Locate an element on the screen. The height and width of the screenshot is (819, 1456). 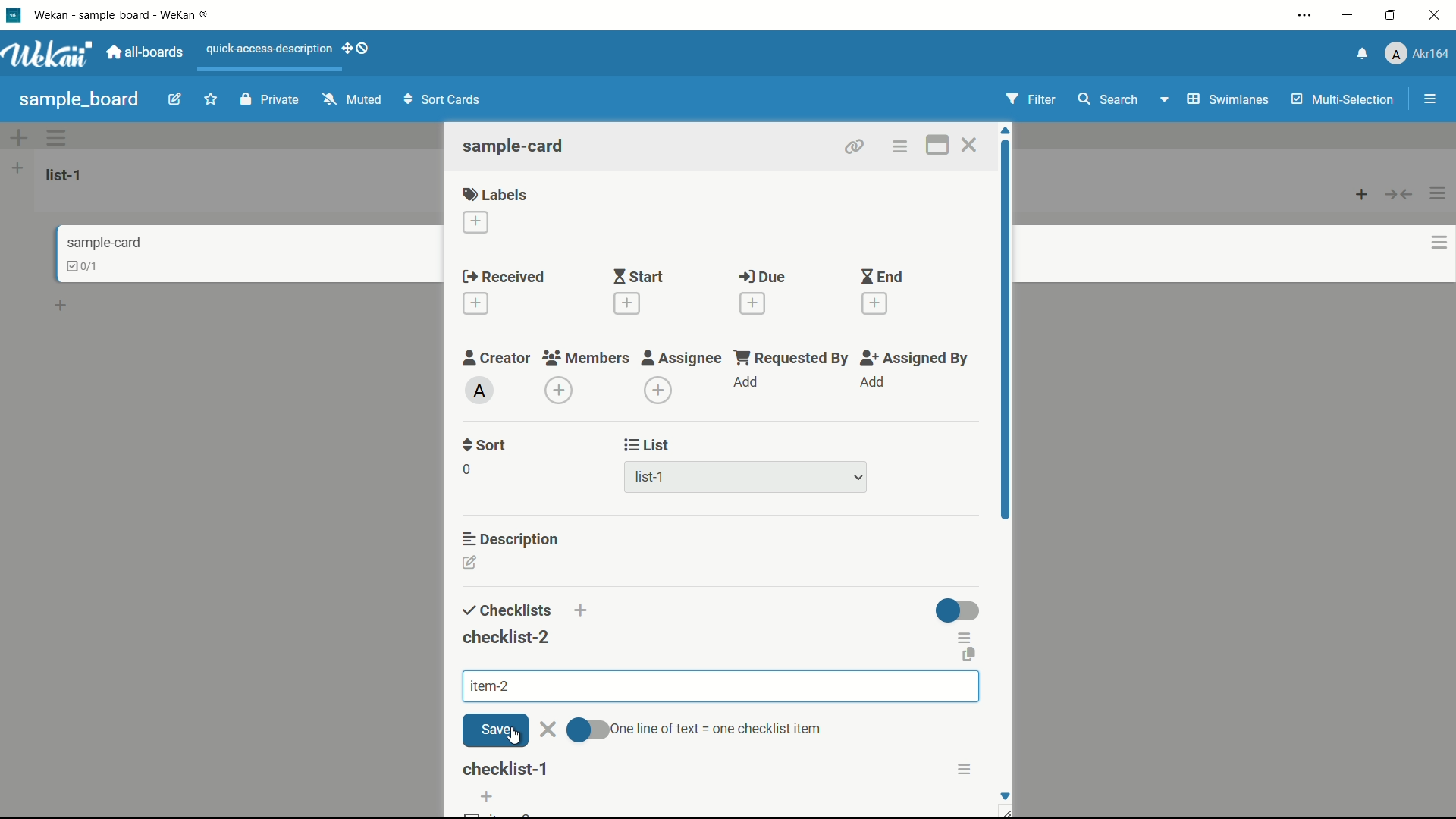
text is located at coordinates (720, 728).